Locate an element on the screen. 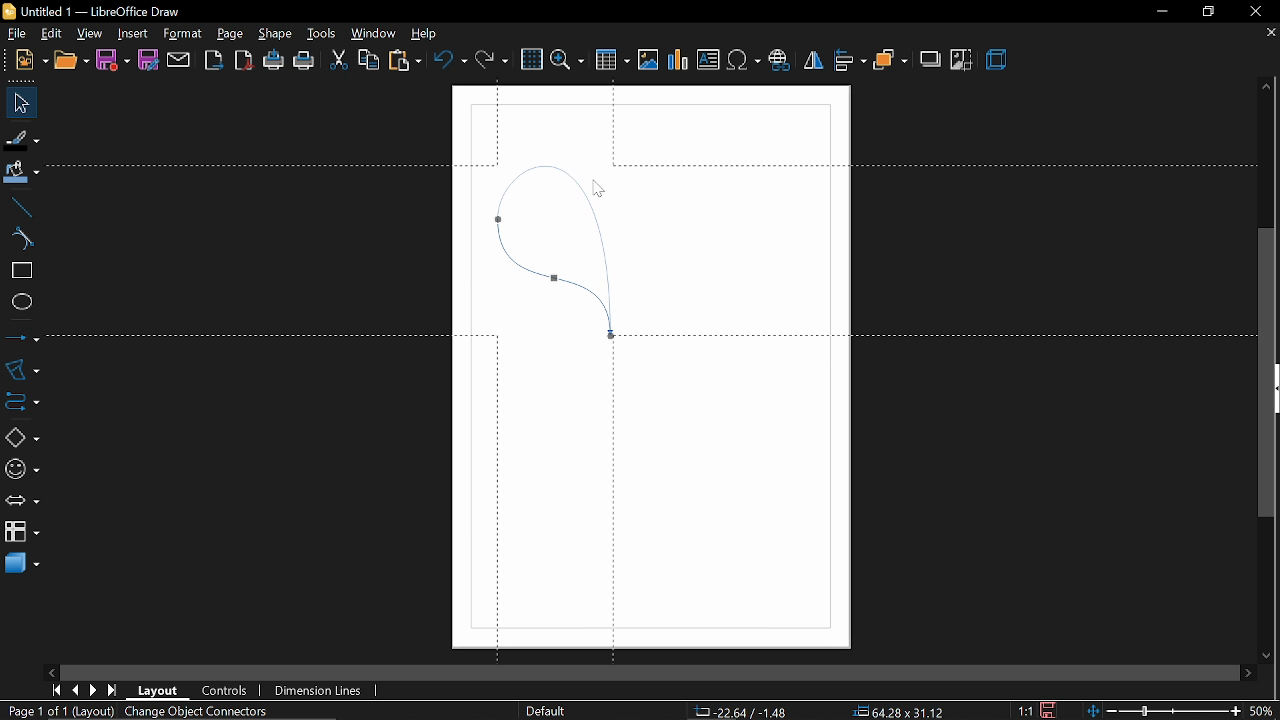 This screenshot has height=720, width=1280. 1:1 is located at coordinates (1027, 711).